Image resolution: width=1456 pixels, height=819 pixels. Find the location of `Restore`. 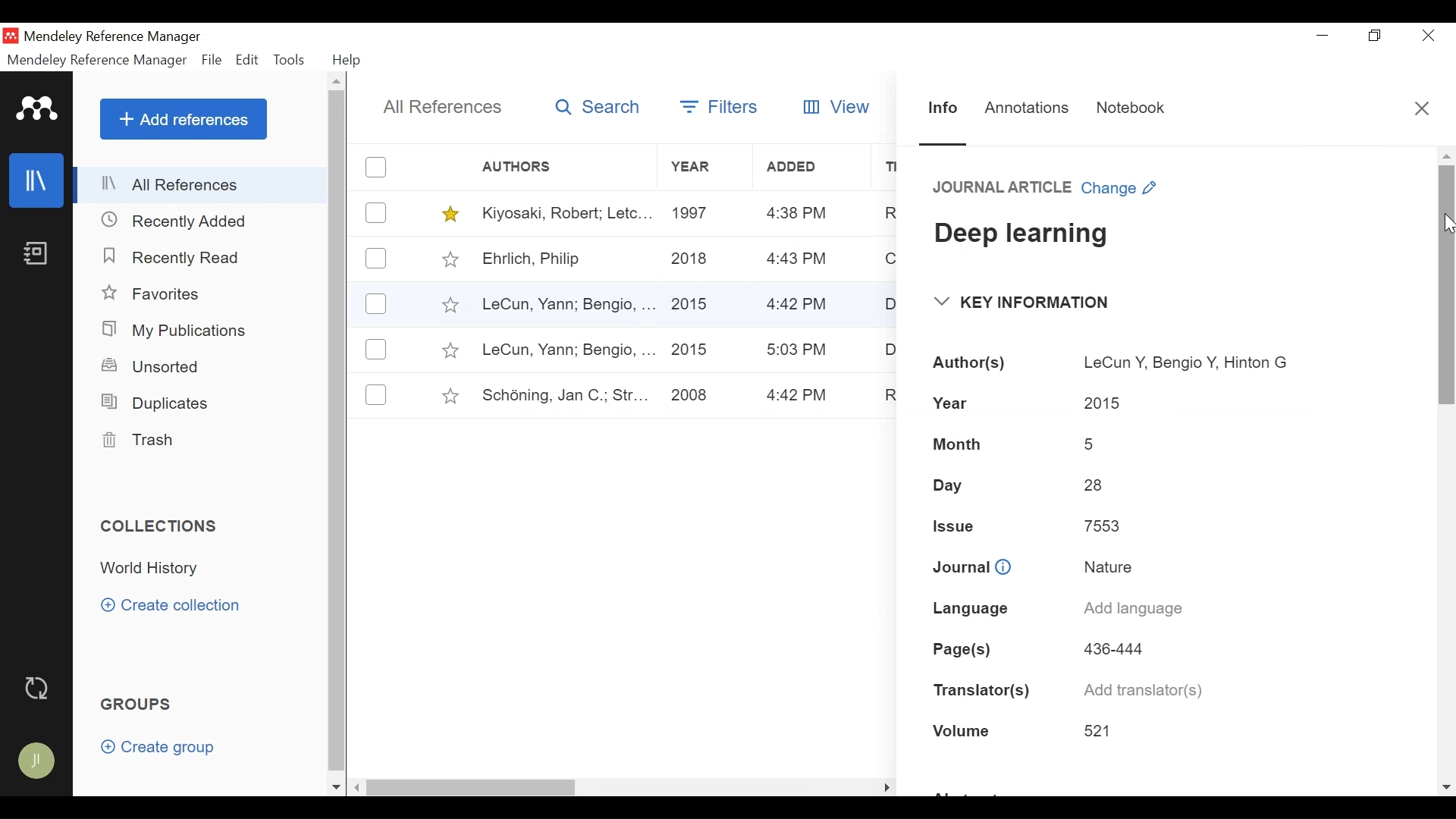

Restore is located at coordinates (1376, 36).